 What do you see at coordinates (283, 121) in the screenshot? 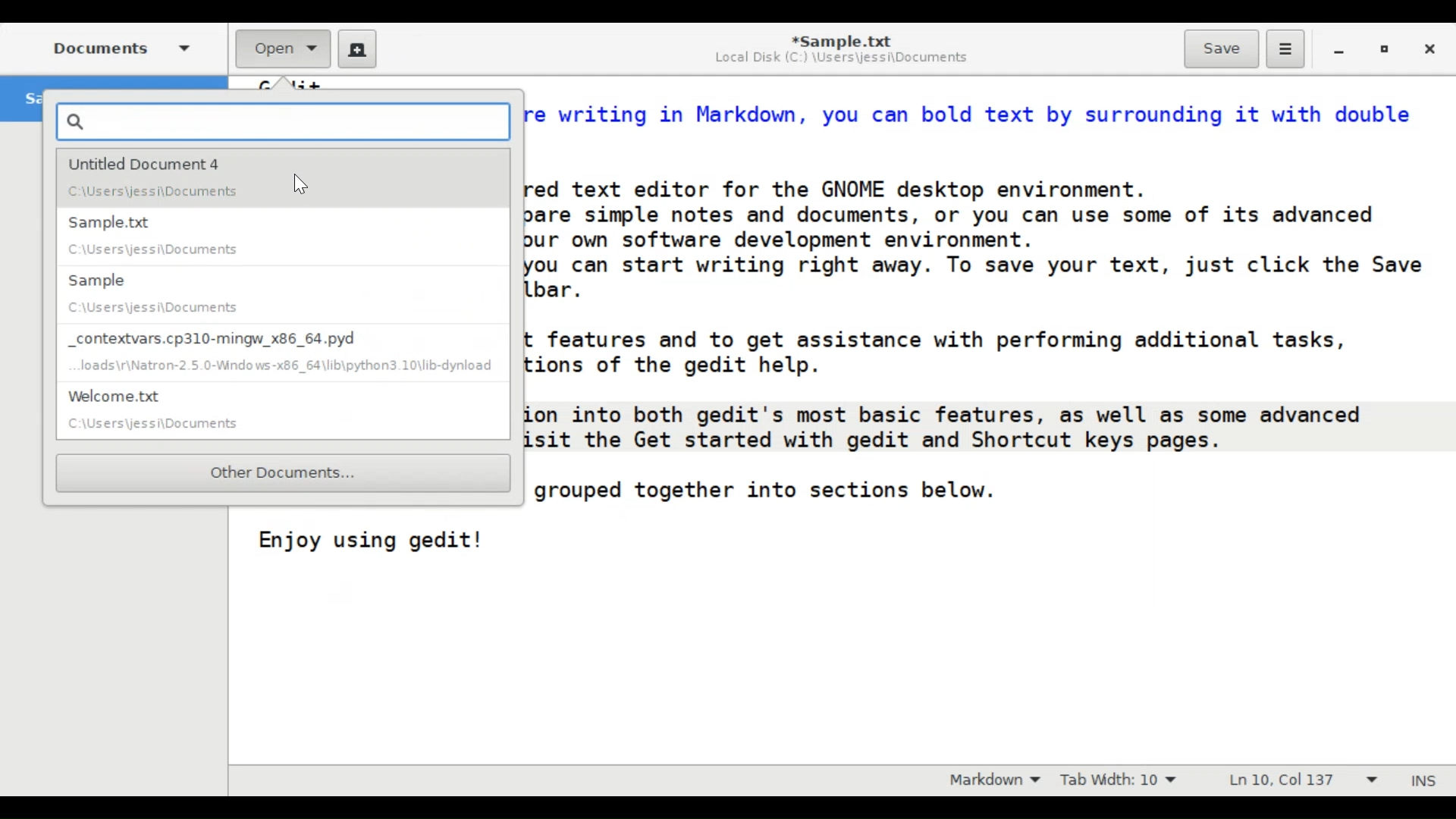
I see `Search File` at bounding box center [283, 121].